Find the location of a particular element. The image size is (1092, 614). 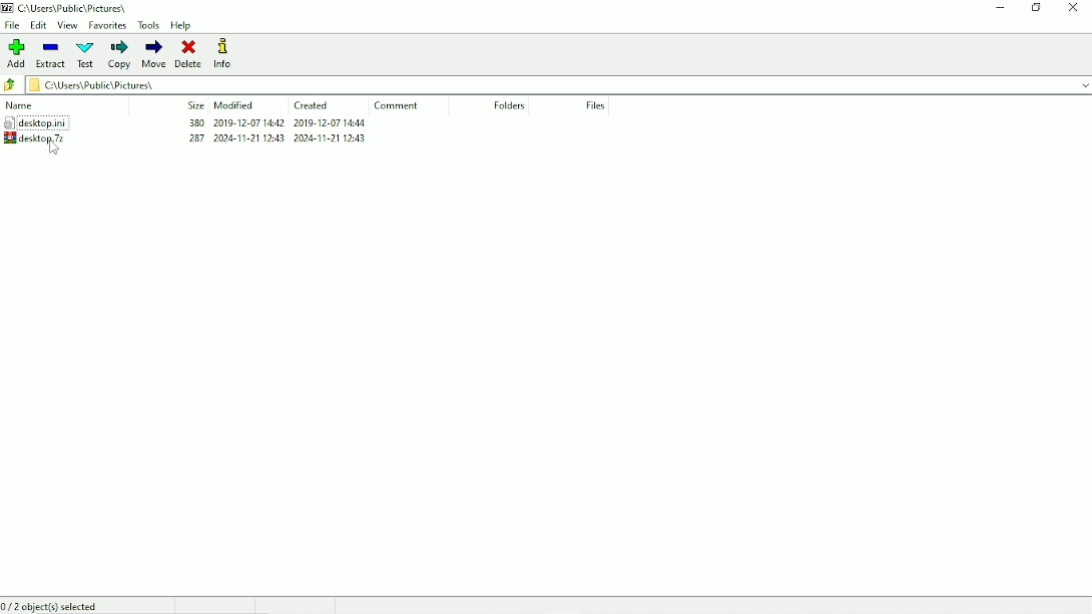

Tools is located at coordinates (149, 25).